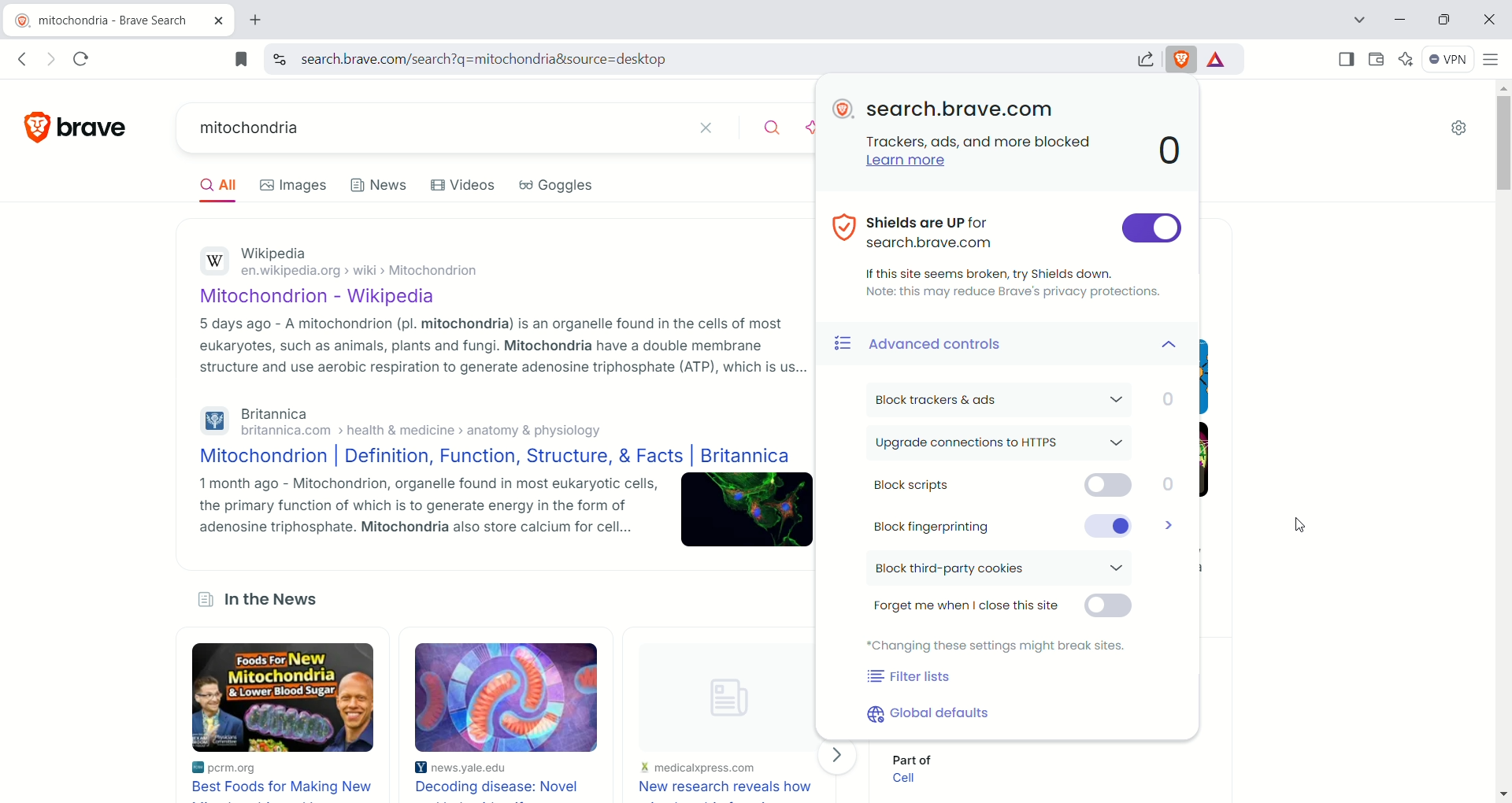 The width and height of the screenshot is (1512, 803). I want to click on wallet, so click(1378, 58).